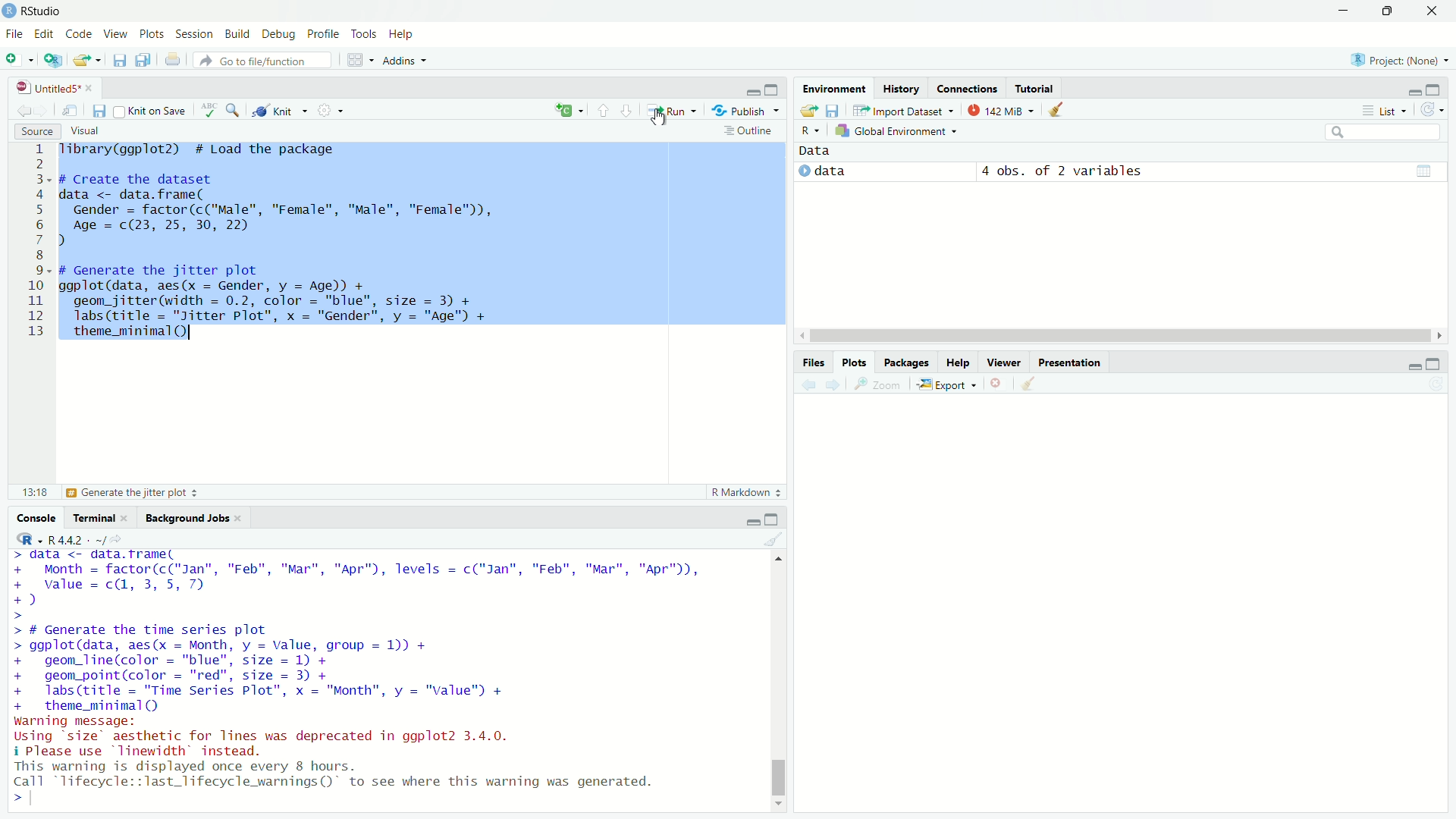  What do you see at coordinates (294, 211) in the screenshot?
I see `code to create the dataset` at bounding box center [294, 211].